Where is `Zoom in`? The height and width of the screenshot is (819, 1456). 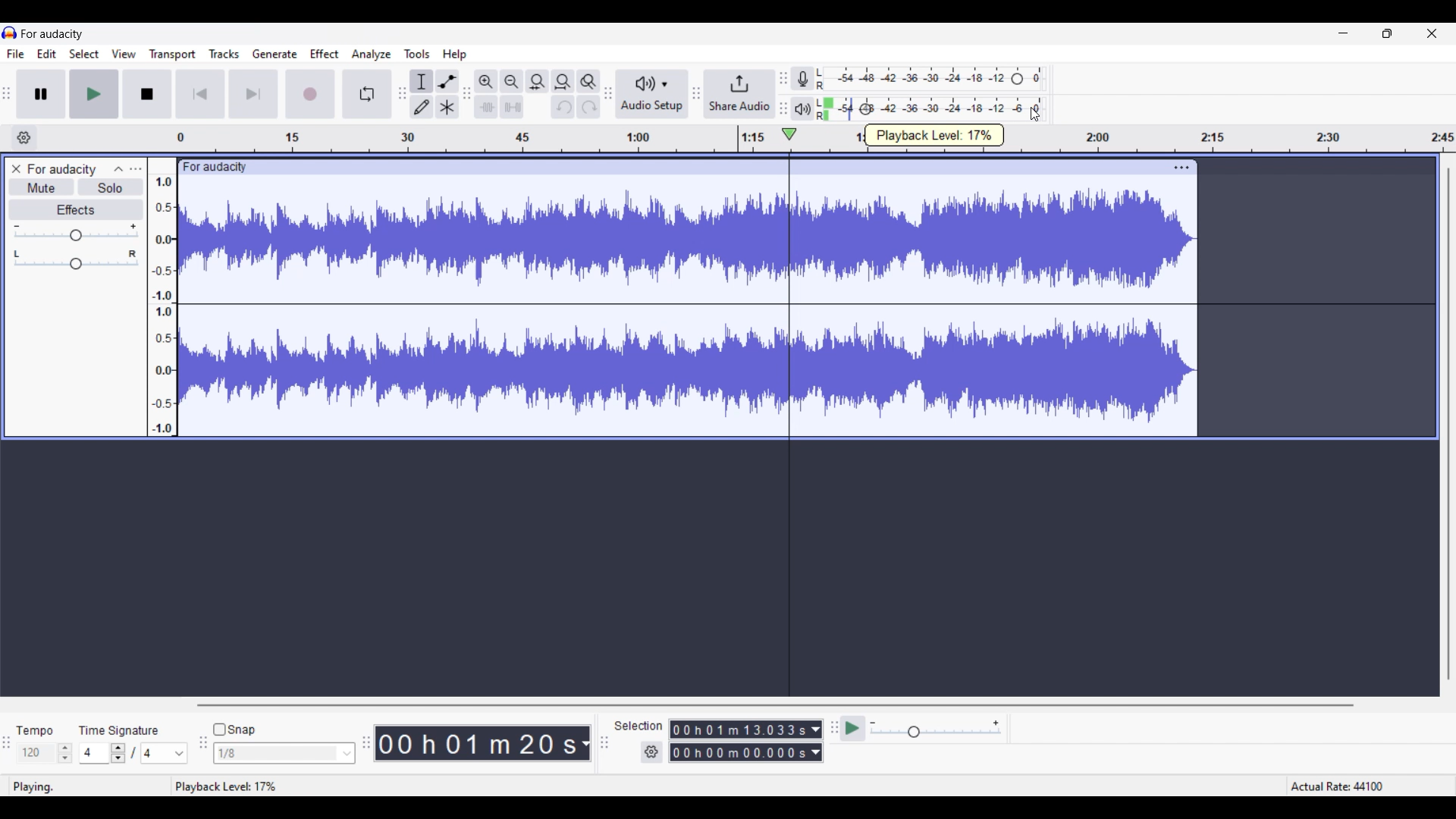 Zoom in is located at coordinates (485, 82).